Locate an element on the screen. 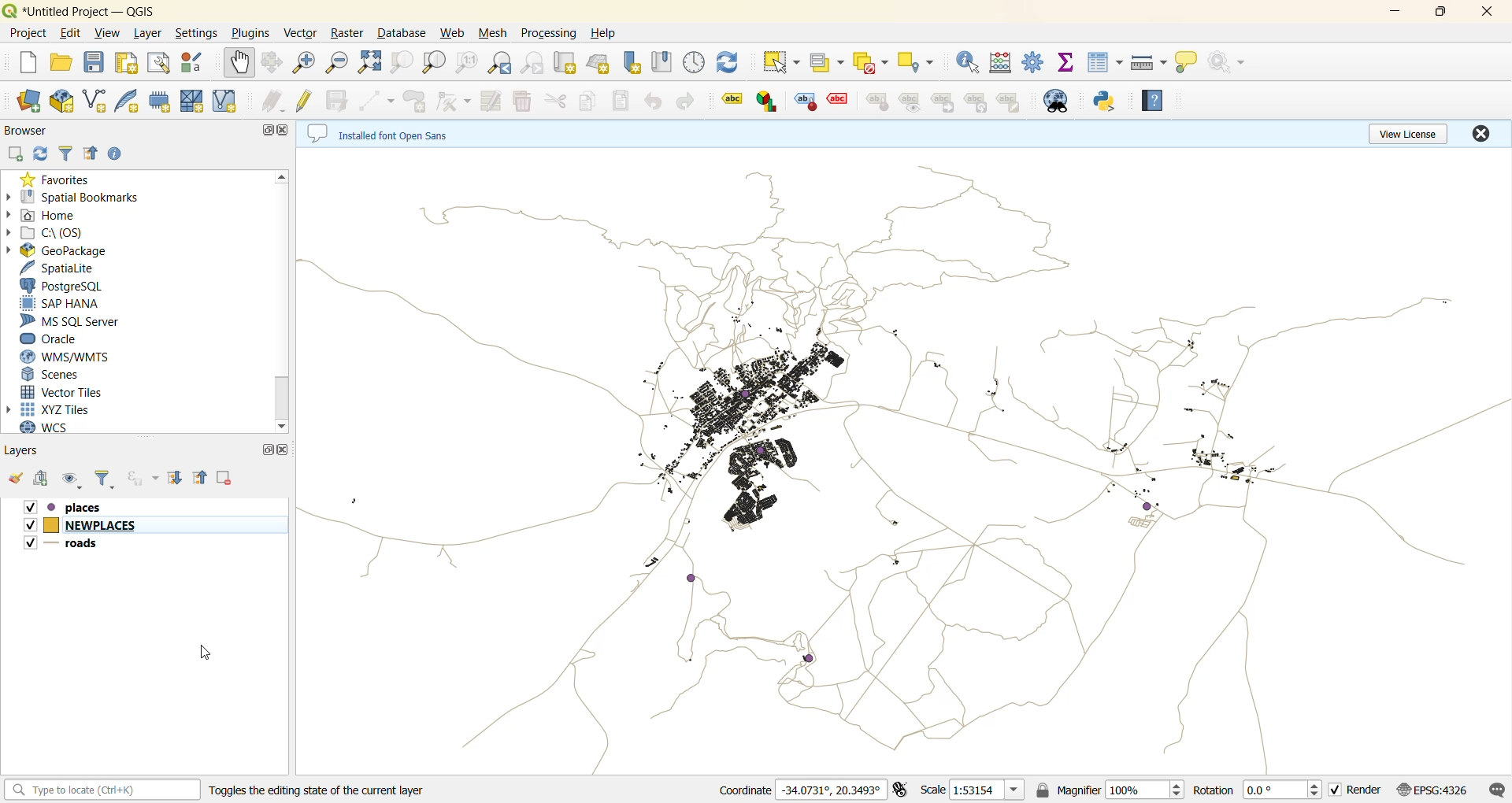 Image resolution: width=1512 pixels, height=803 pixels. layer is located at coordinates (149, 32).